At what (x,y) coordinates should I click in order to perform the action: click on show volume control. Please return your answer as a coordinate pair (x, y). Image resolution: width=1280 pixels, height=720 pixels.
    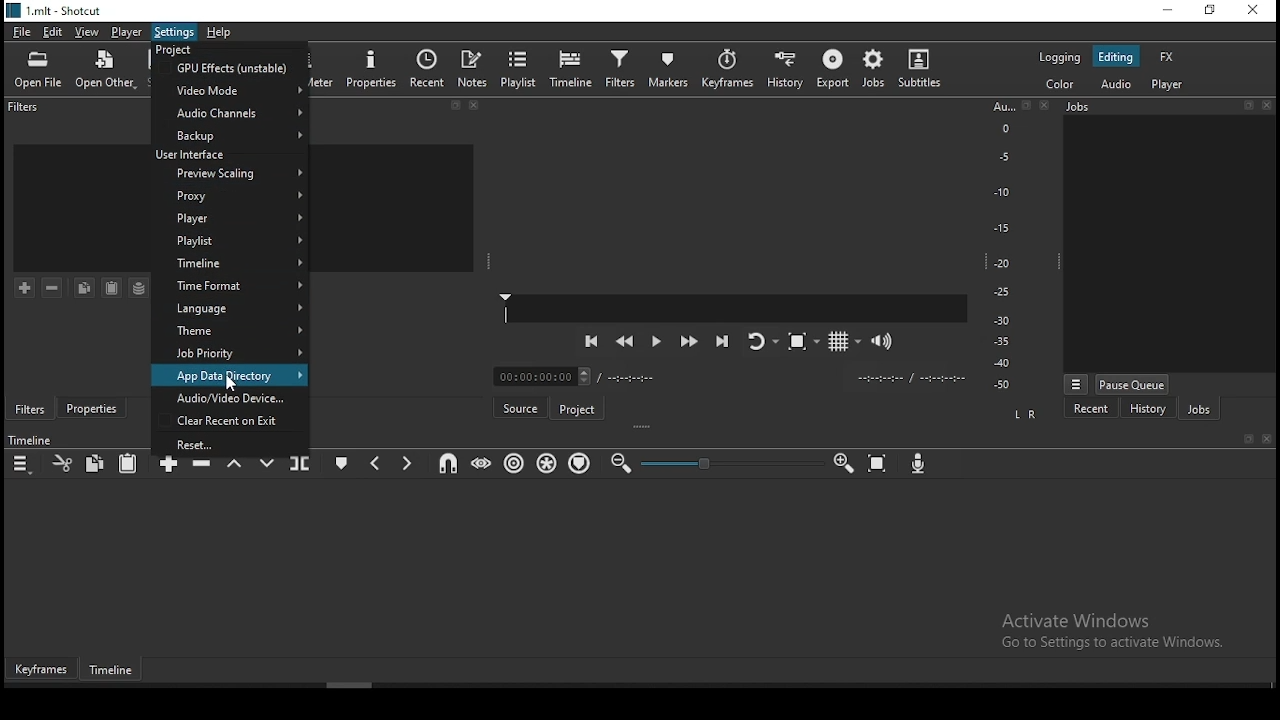
    Looking at the image, I should click on (885, 338).